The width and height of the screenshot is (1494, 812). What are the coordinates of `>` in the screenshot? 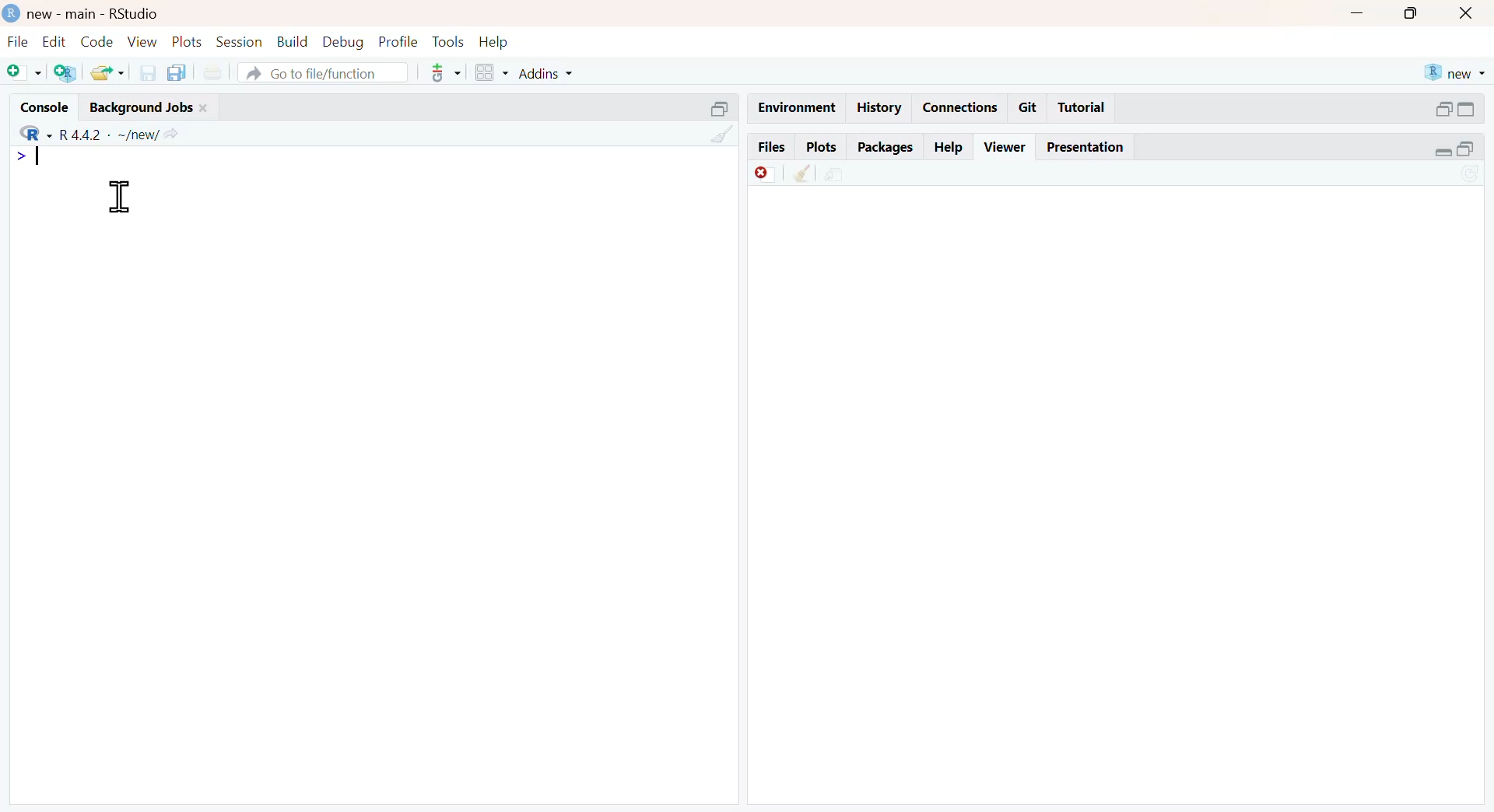 It's located at (19, 157).